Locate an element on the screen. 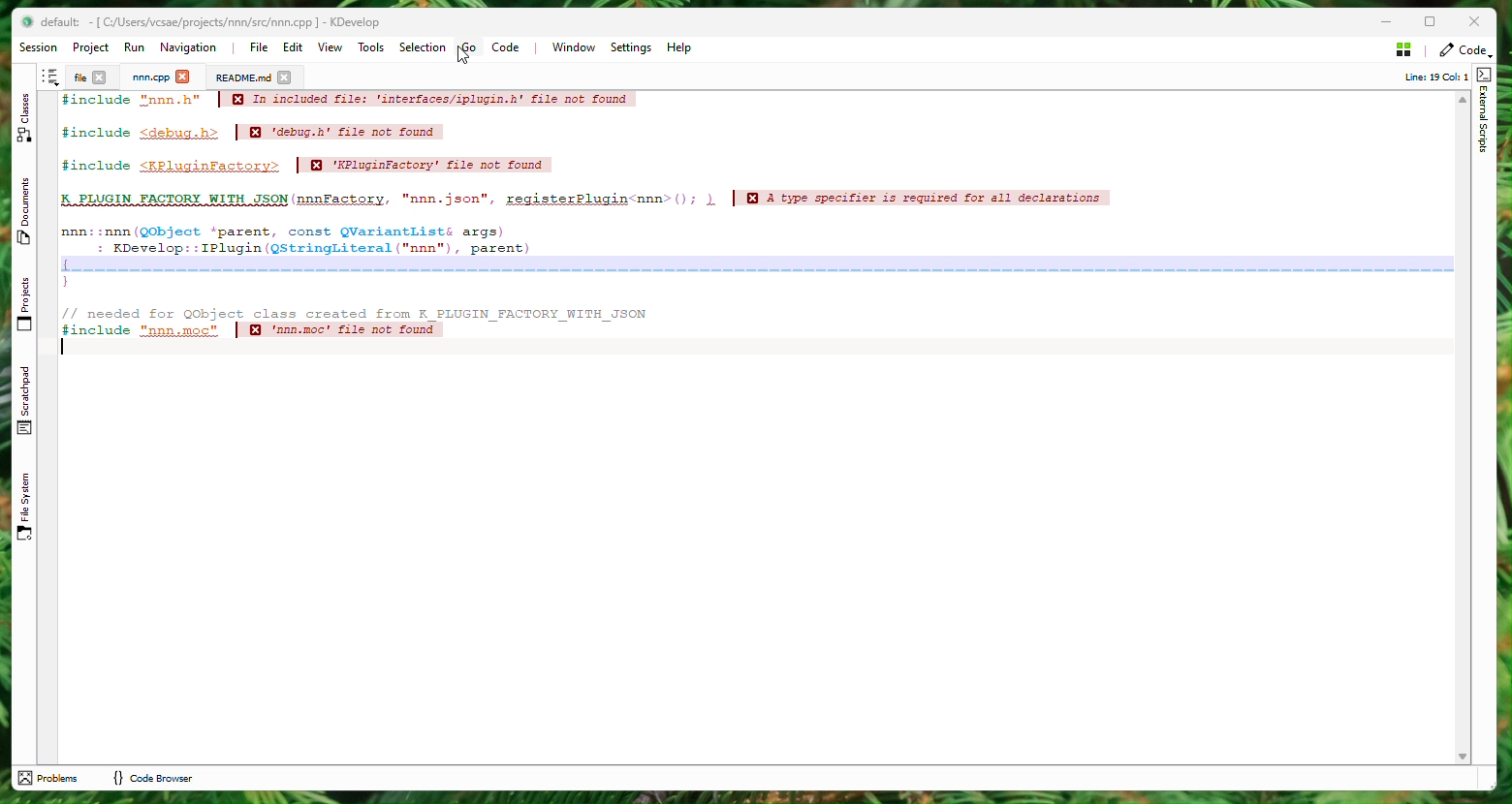  Shortcut is located at coordinates (50, 77).